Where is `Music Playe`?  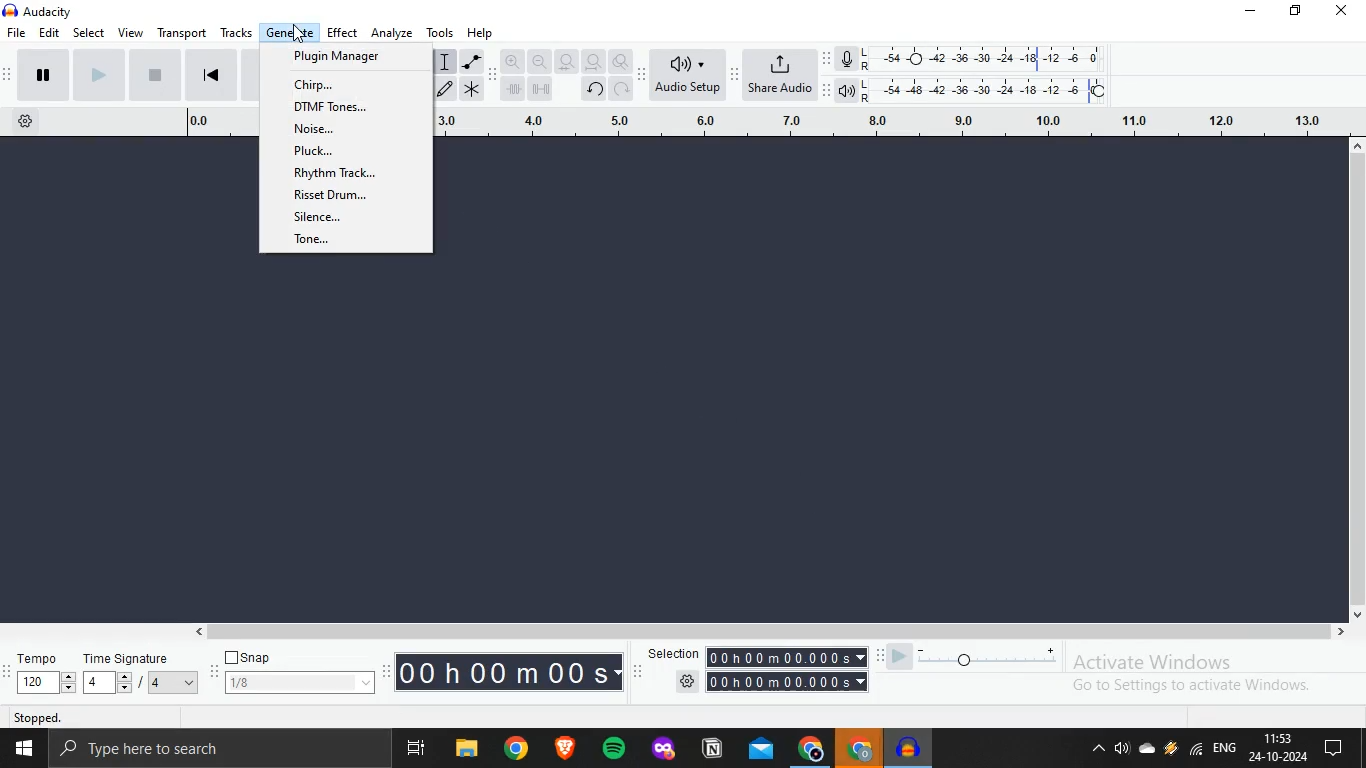 Music Playe is located at coordinates (910, 748).